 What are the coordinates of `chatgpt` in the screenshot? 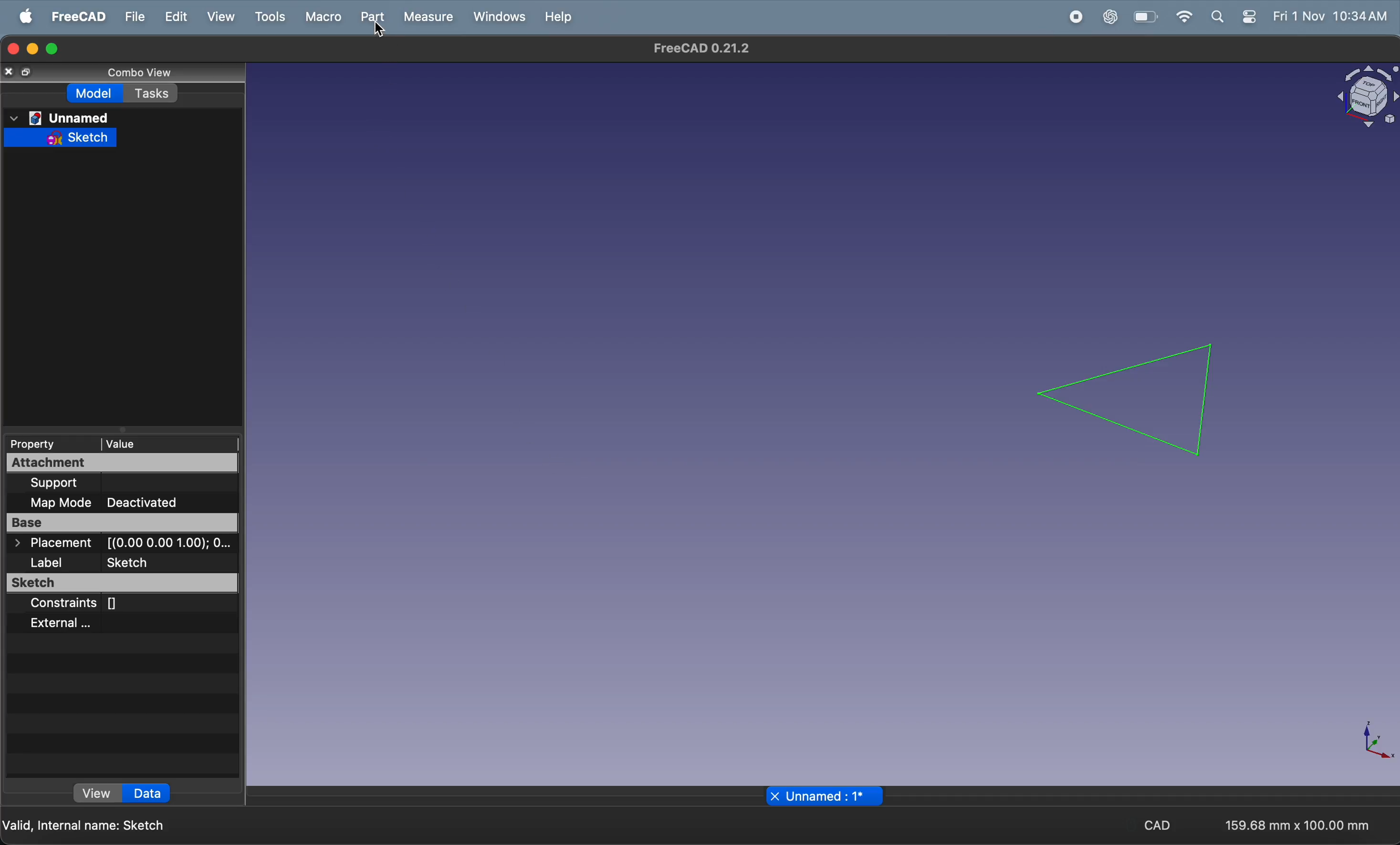 It's located at (1112, 16).